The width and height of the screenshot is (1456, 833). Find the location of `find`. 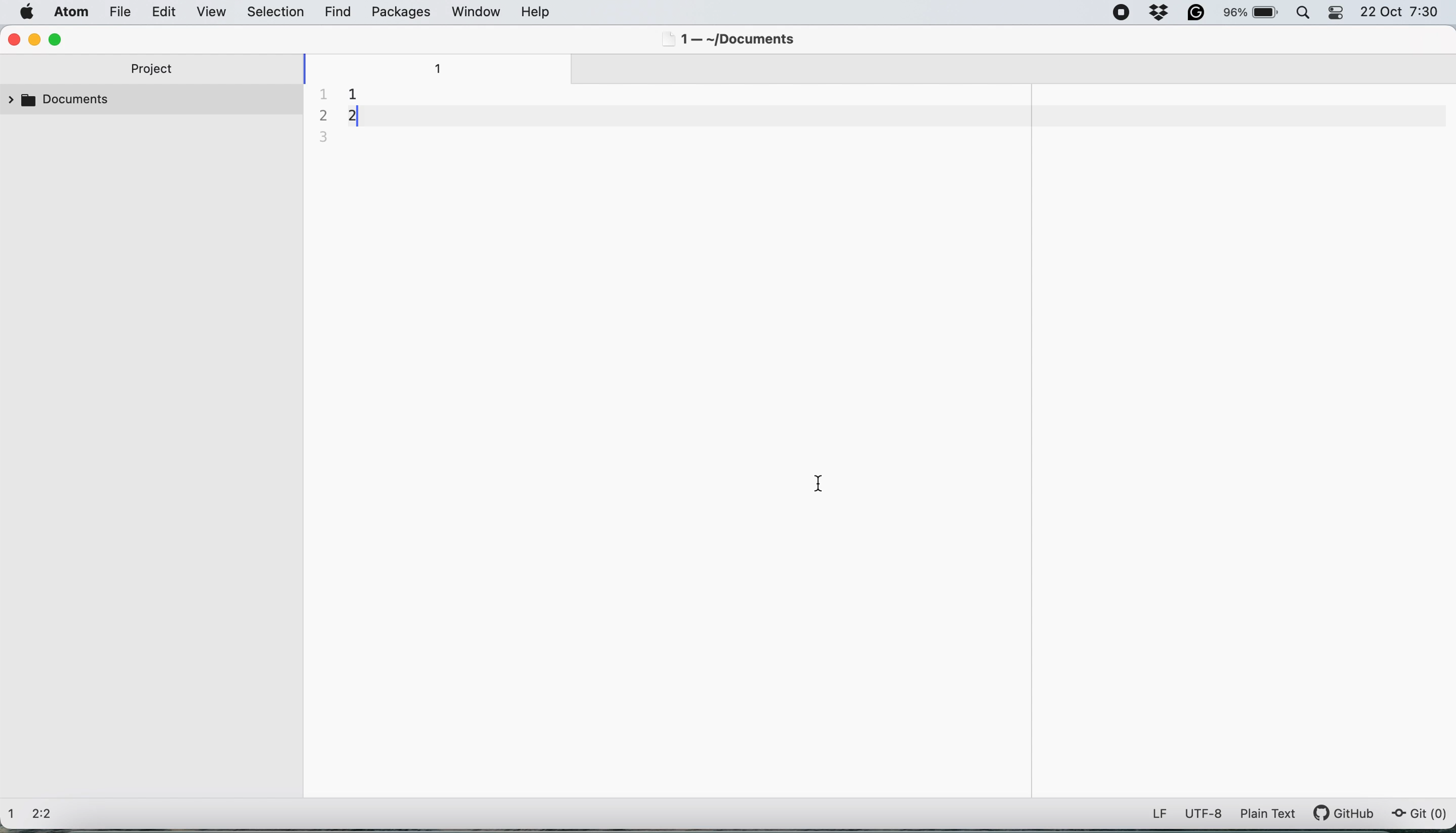

find is located at coordinates (339, 13).